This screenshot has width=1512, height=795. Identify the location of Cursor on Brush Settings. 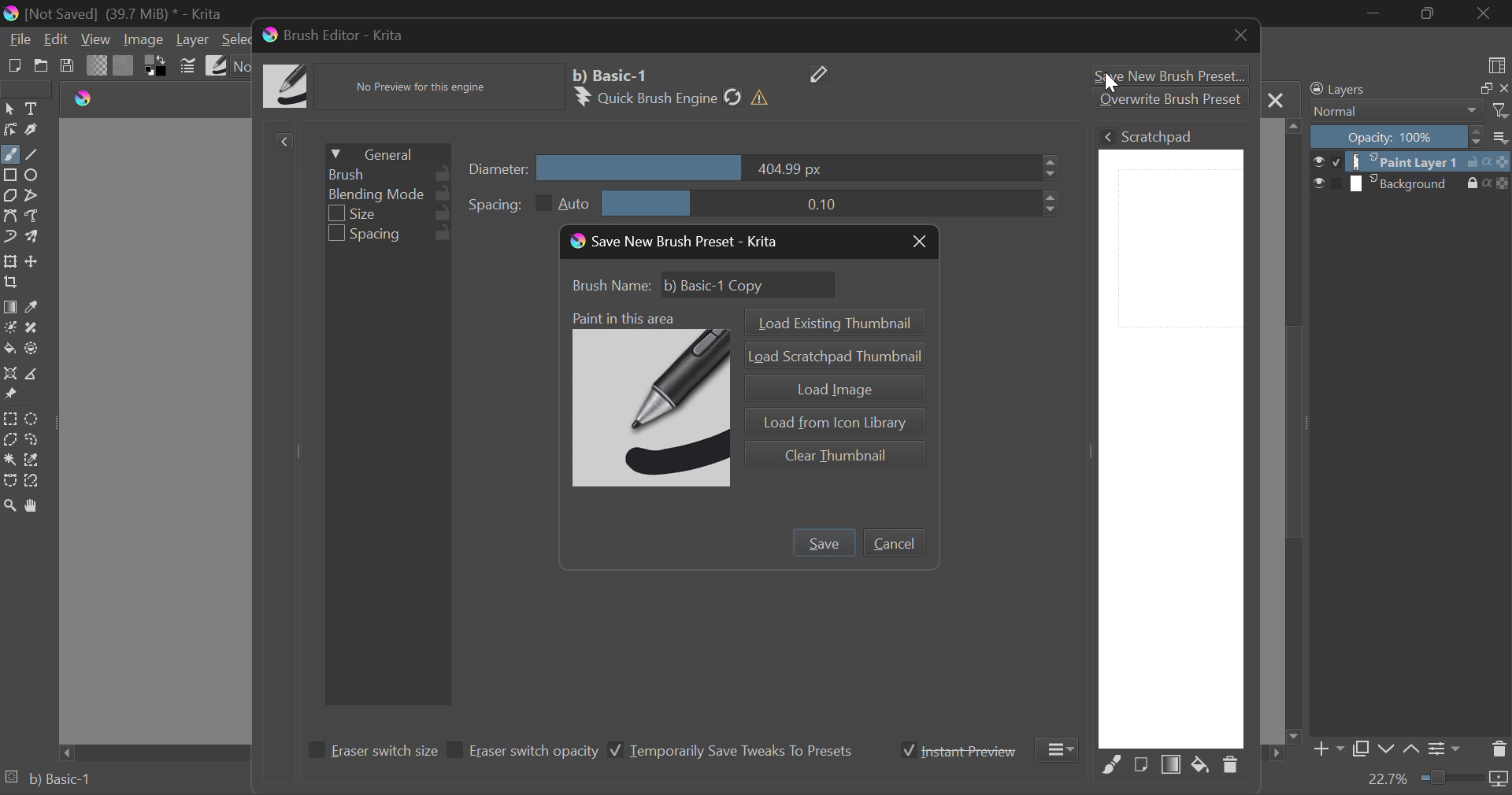
(188, 66).